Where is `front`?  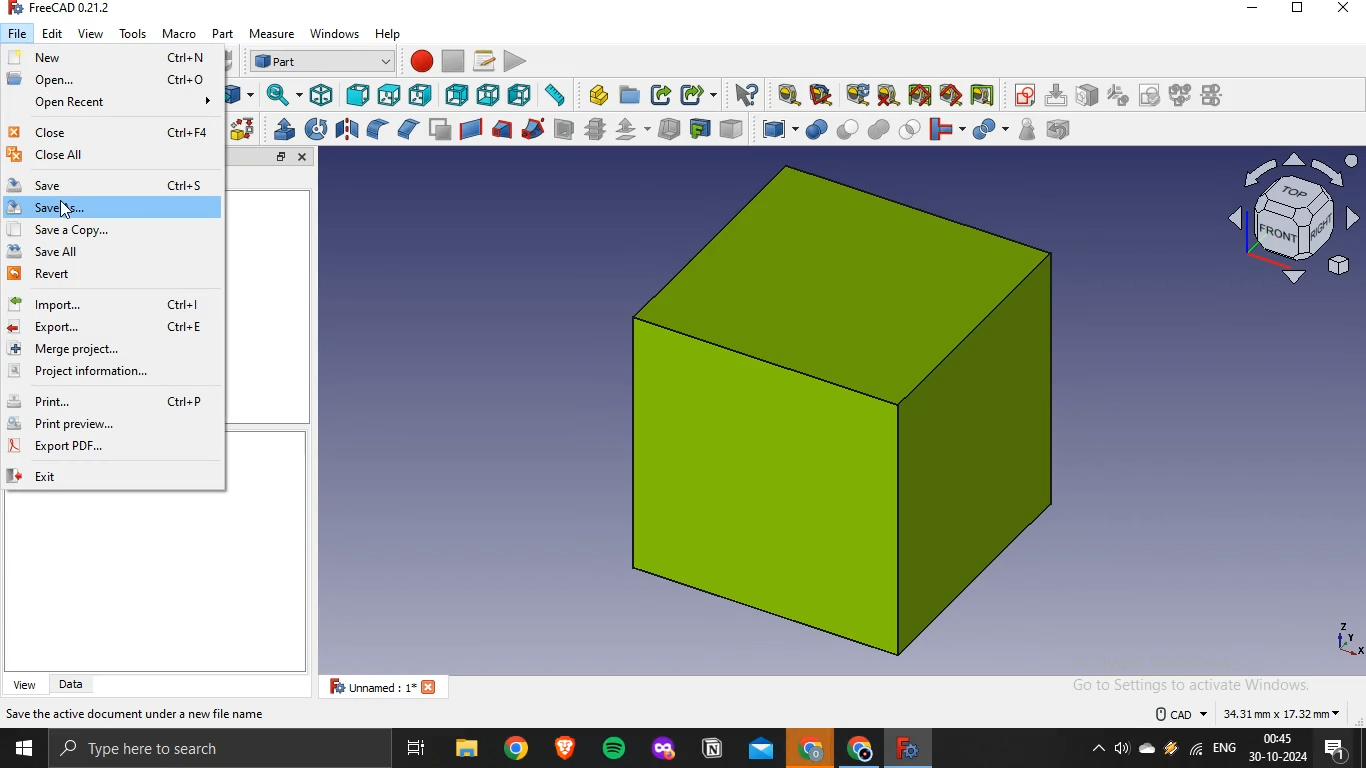 front is located at coordinates (356, 94).